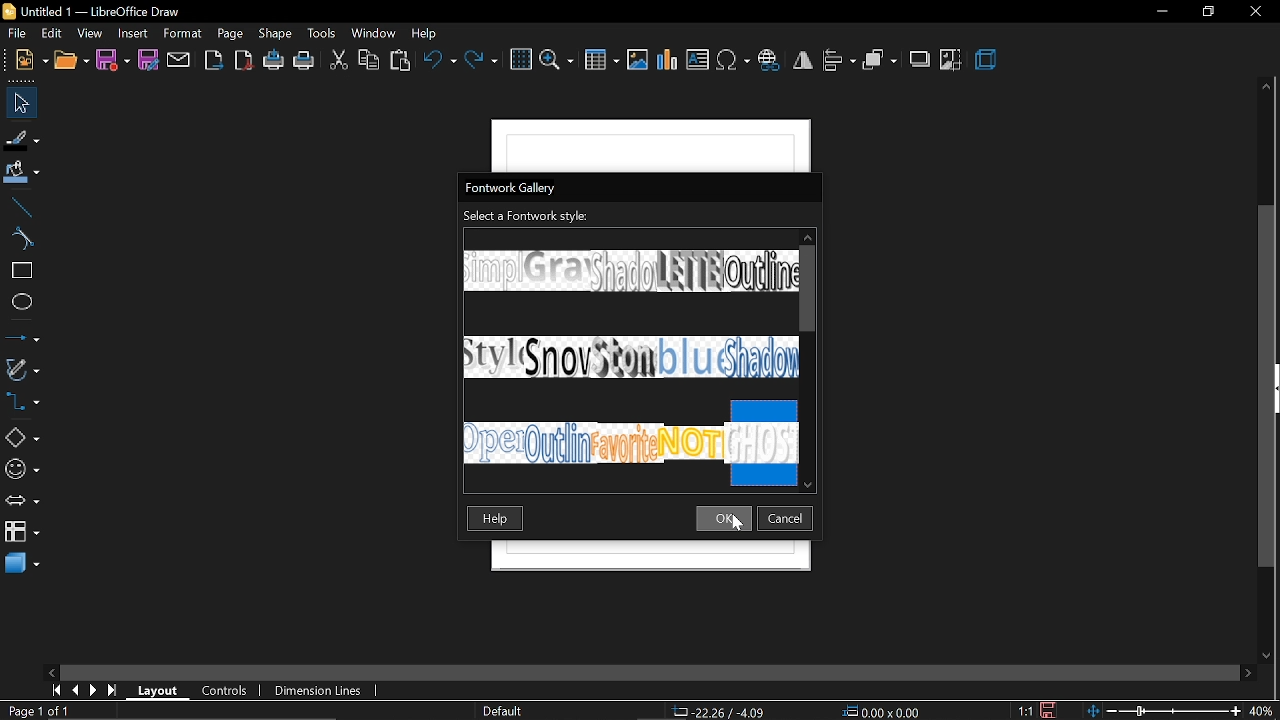 The height and width of the screenshot is (720, 1280). I want to click on insert chart, so click(668, 63).